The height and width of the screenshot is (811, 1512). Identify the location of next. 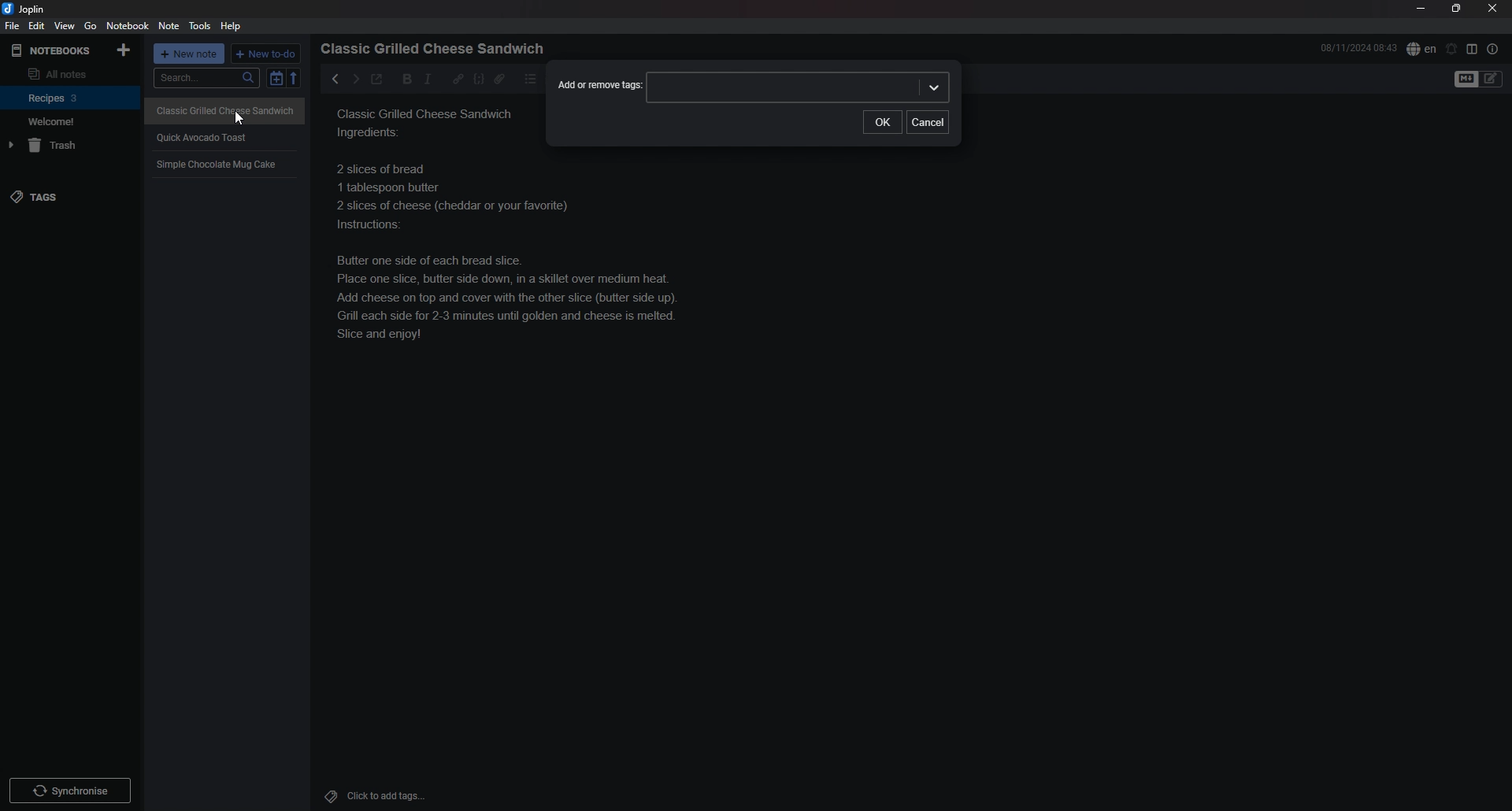
(354, 79).